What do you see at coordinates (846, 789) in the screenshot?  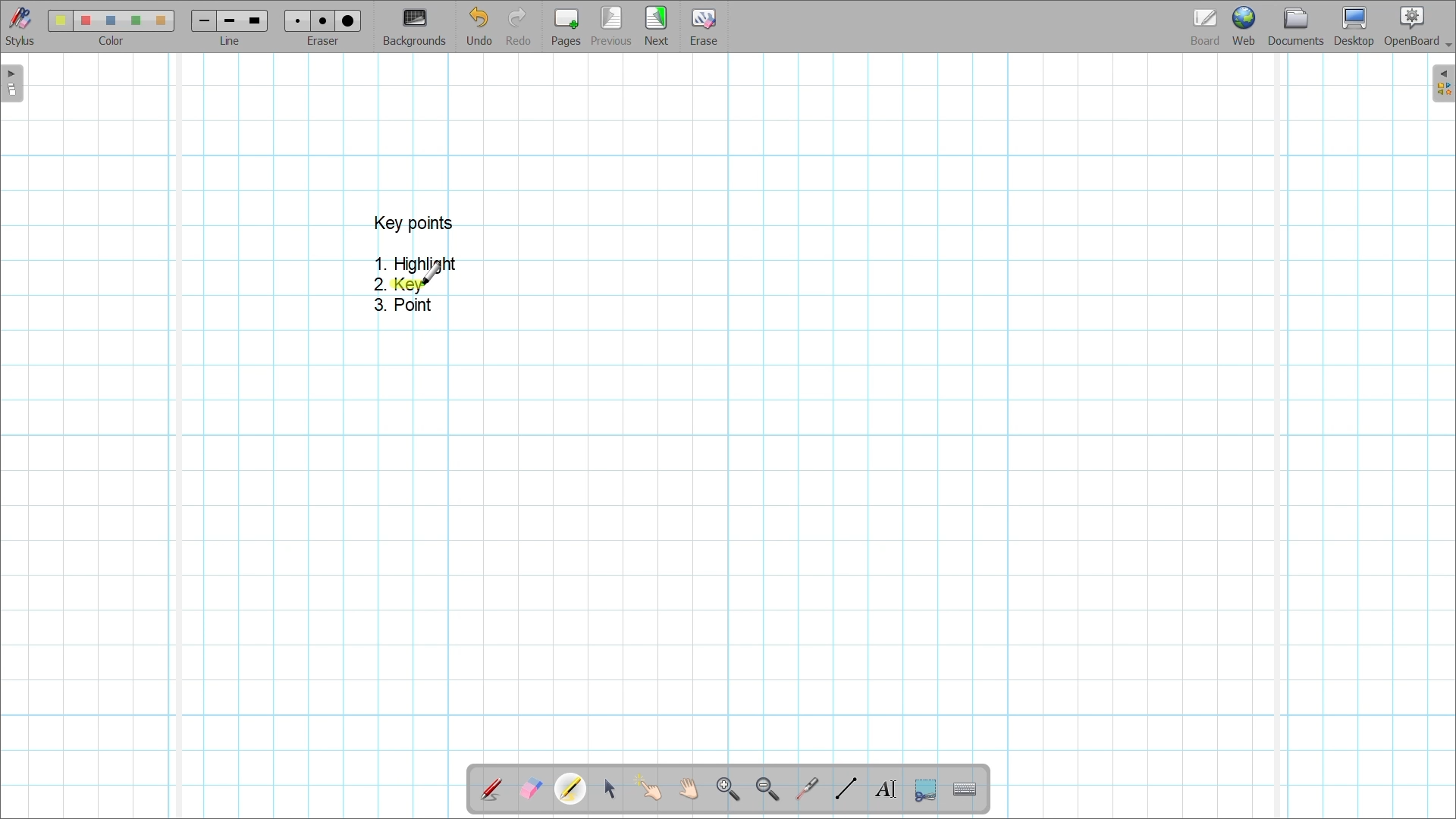 I see `Draw lines` at bounding box center [846, 789].